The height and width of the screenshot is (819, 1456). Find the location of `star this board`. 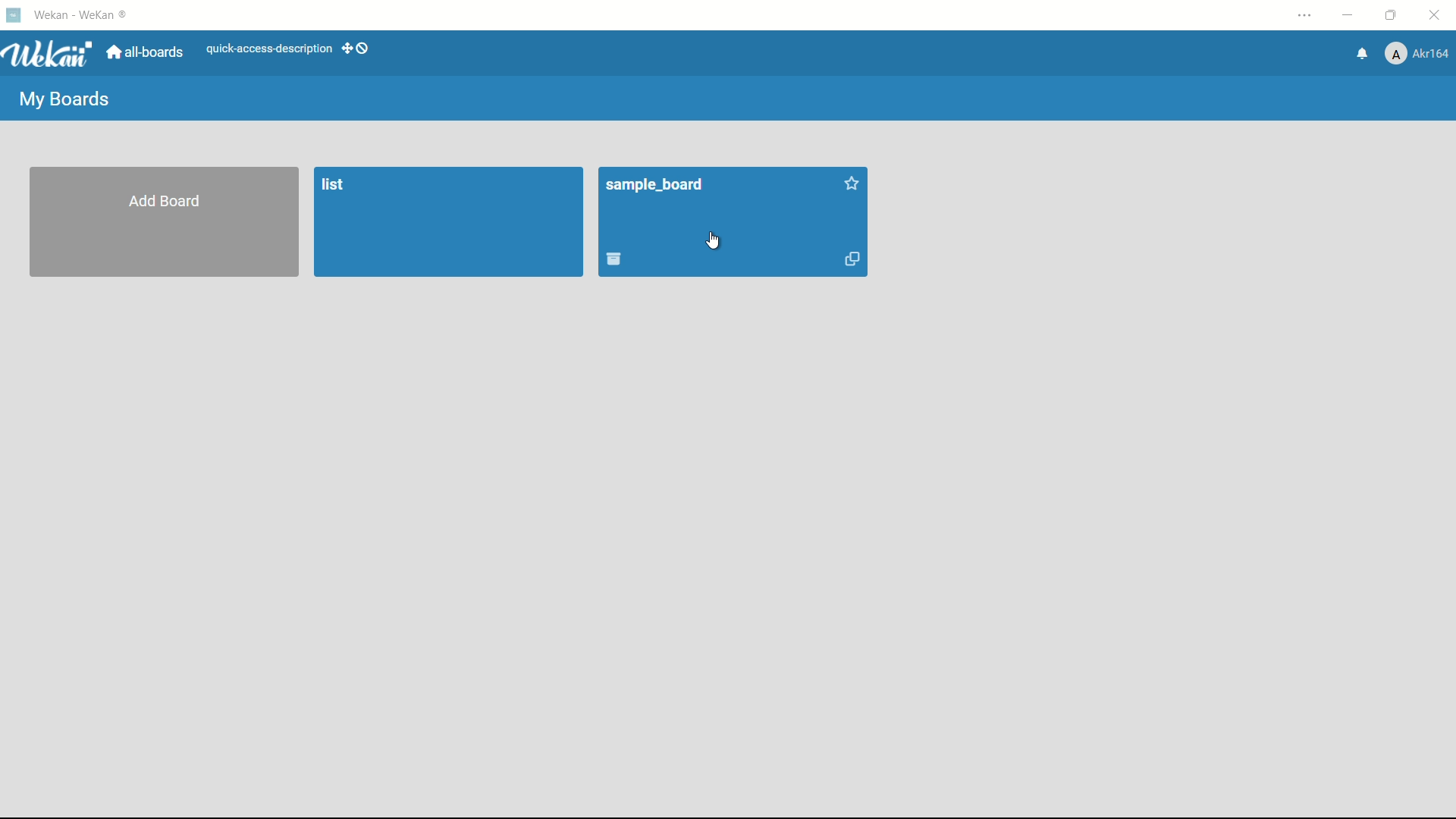

star this board is located at coordinates (850, 184).